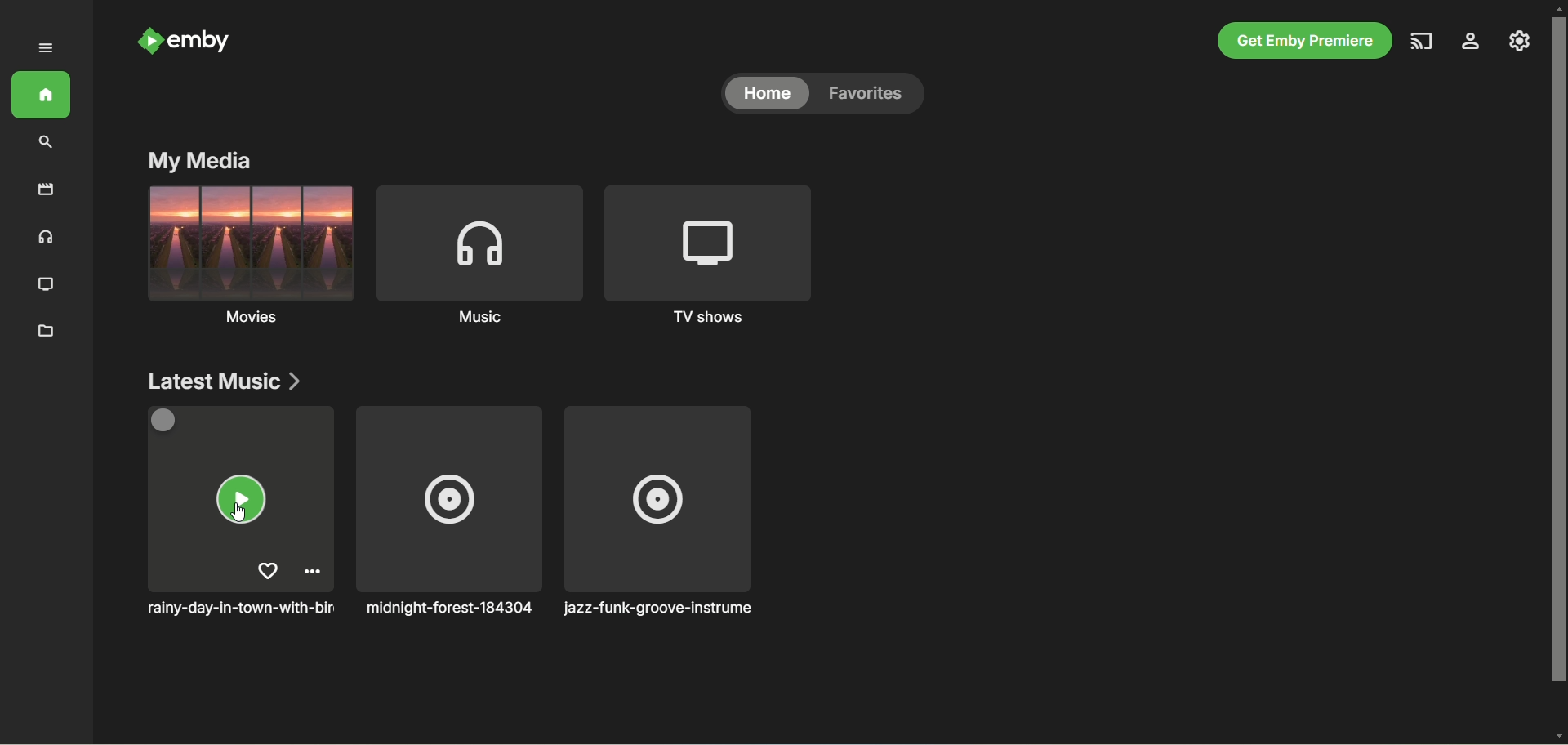  I want to click on rainy-day-in-town-with-birds singing, so click(244, 511).